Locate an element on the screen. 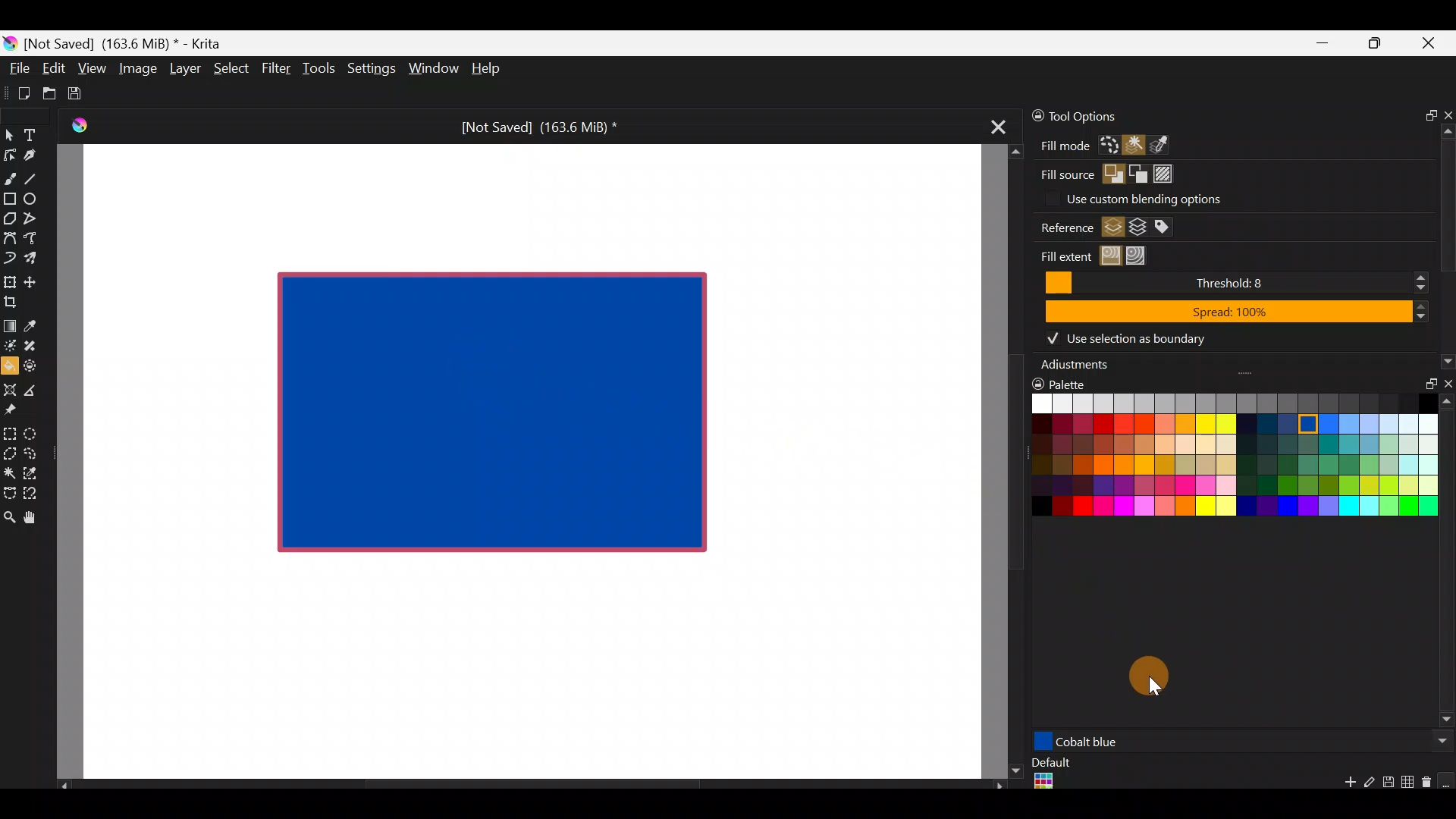 The height and width of the screenshot is (819, 1456). Freehand selection tool is located at coordinates (32, 452).